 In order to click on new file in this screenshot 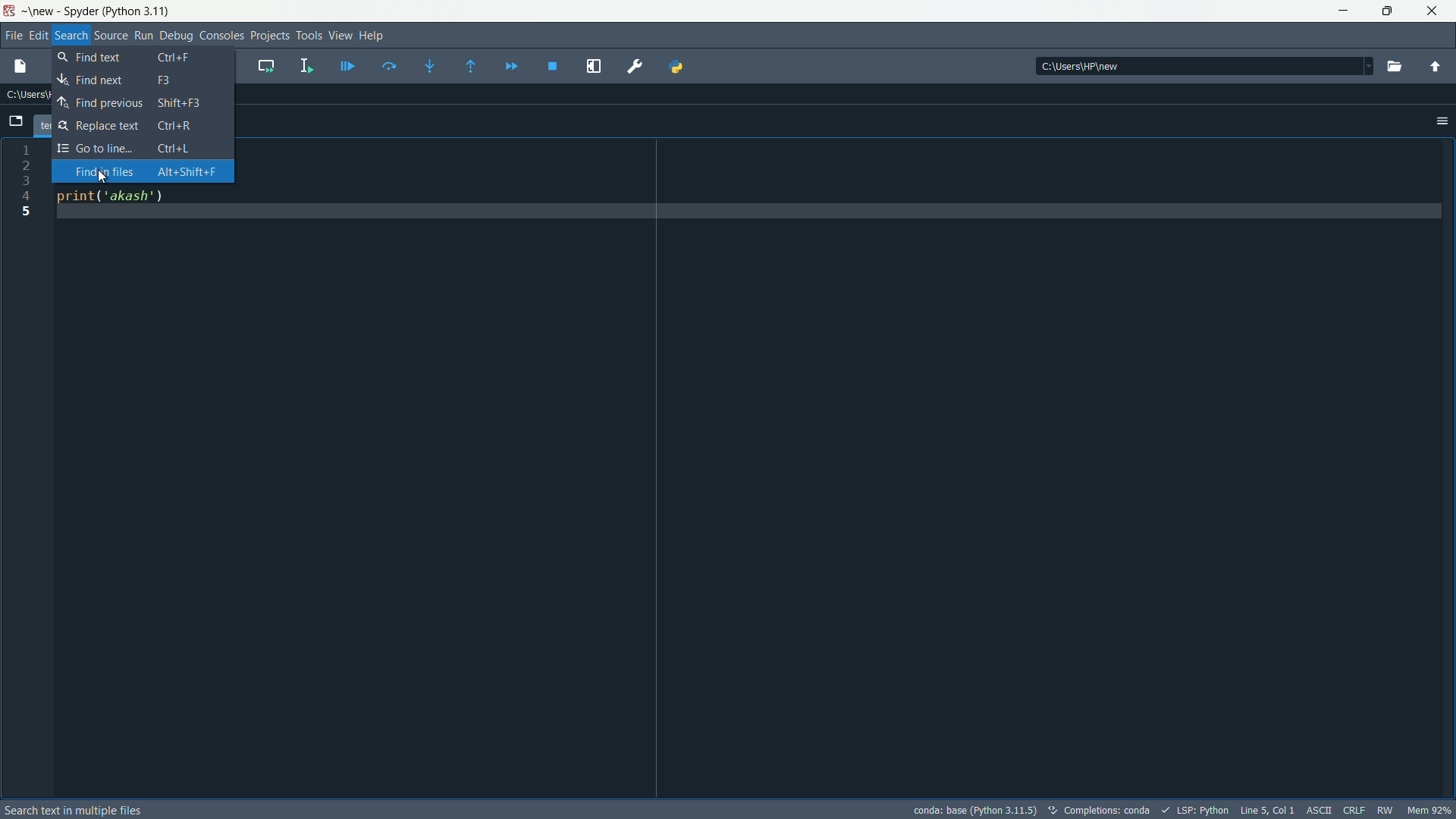, I will do `click(20, 67)`.